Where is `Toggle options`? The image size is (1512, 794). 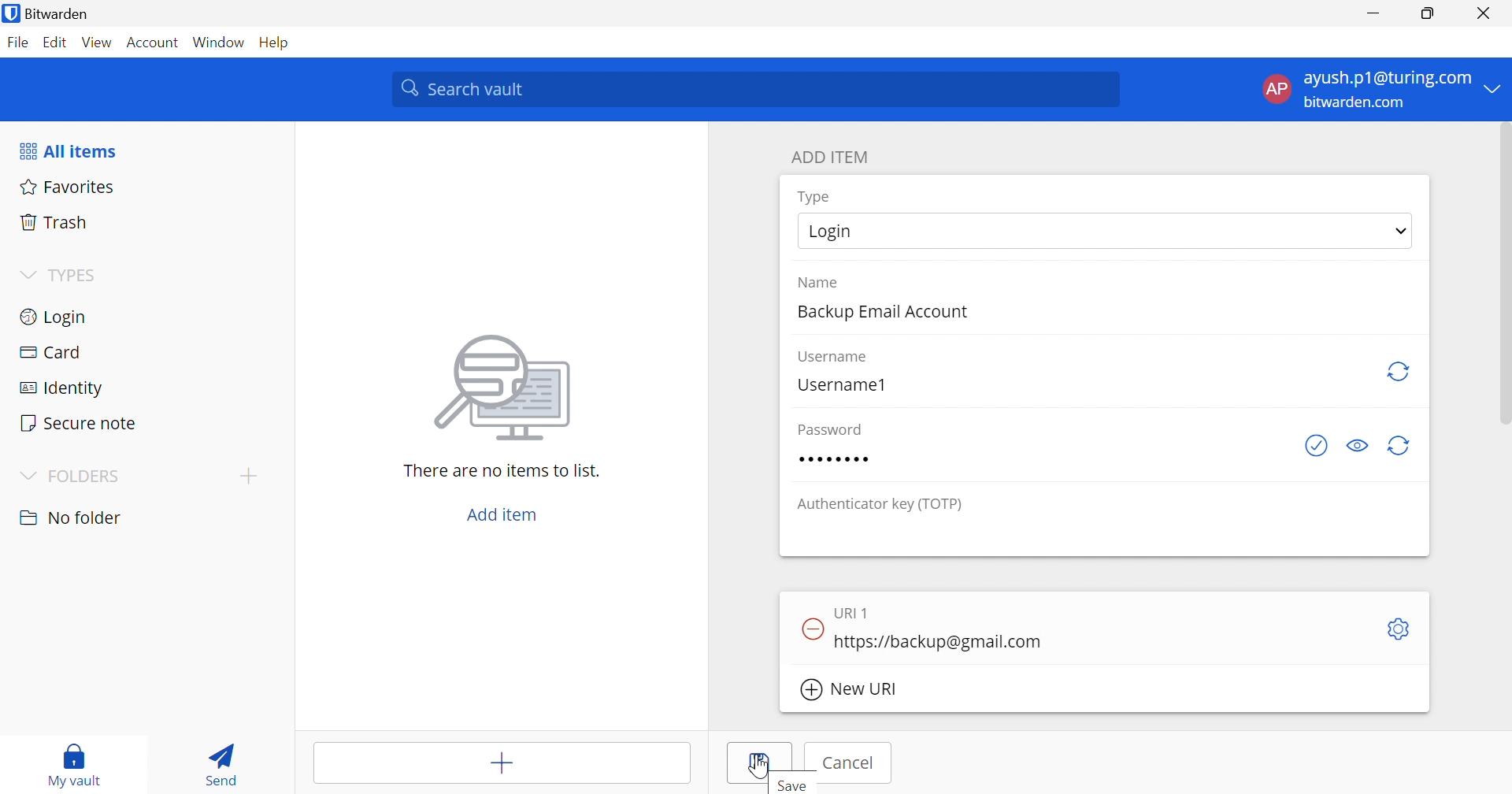 Toggle options is located at coordinates (1401, 630).